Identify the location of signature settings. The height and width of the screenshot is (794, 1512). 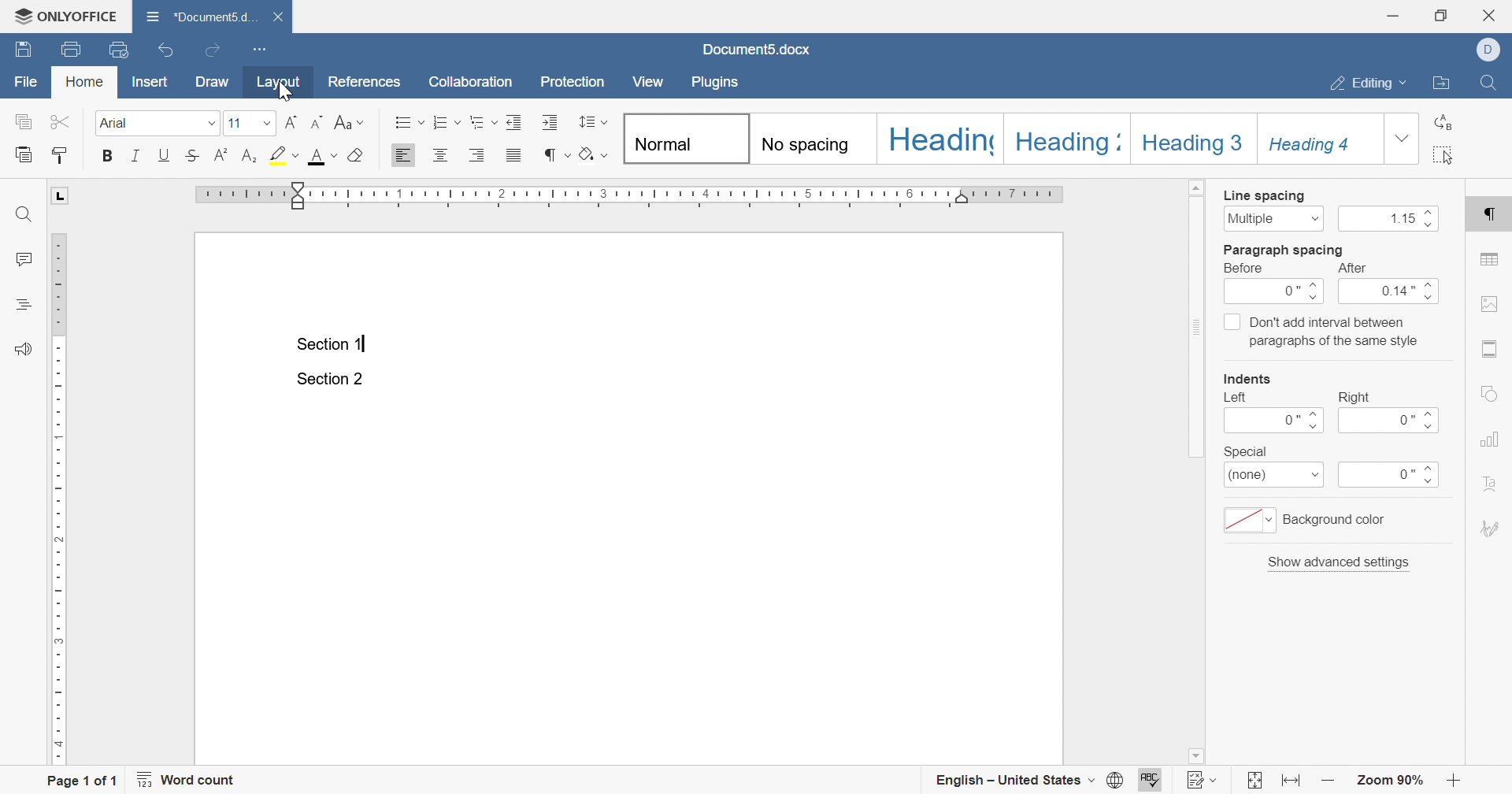
(1489, 529).